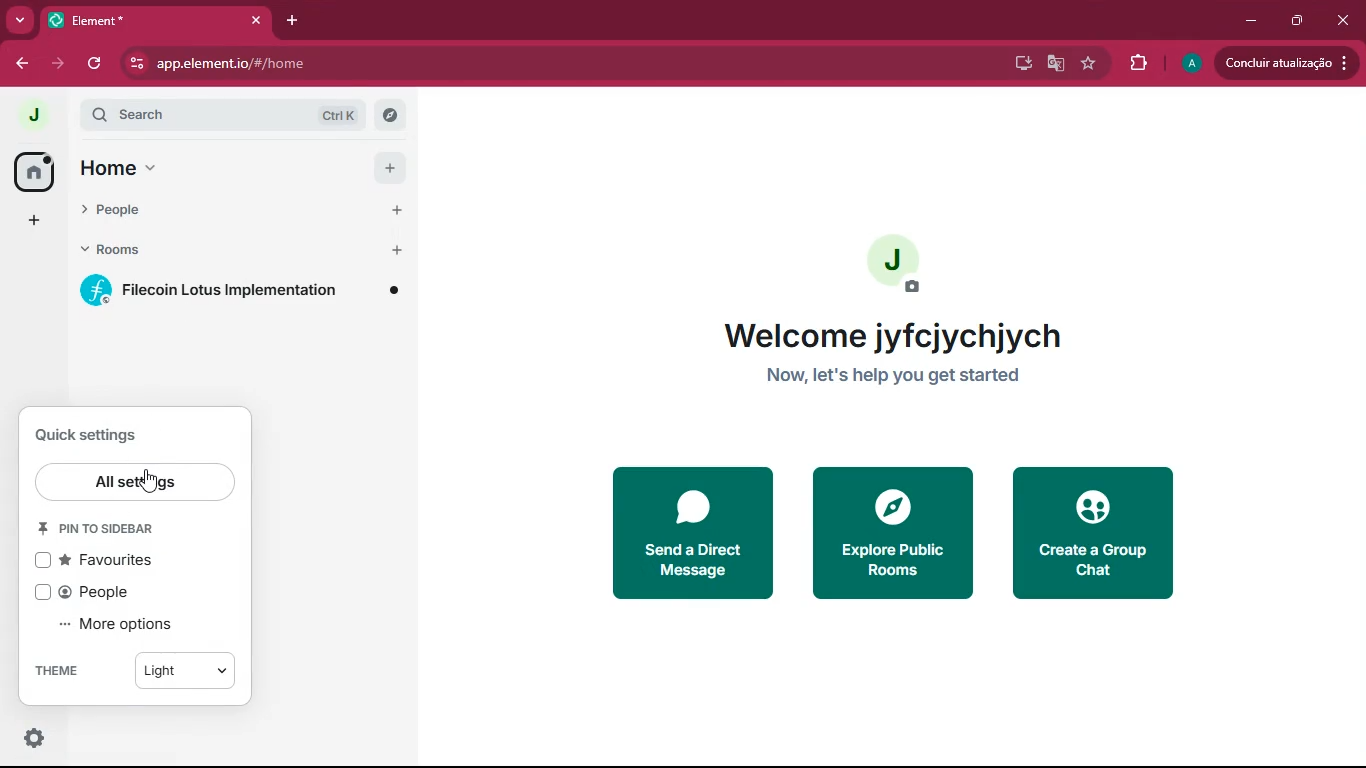  What do you see at coordinates (34, 741) in the screenshot?
I see `settings ` at bounding box center [34, 741].